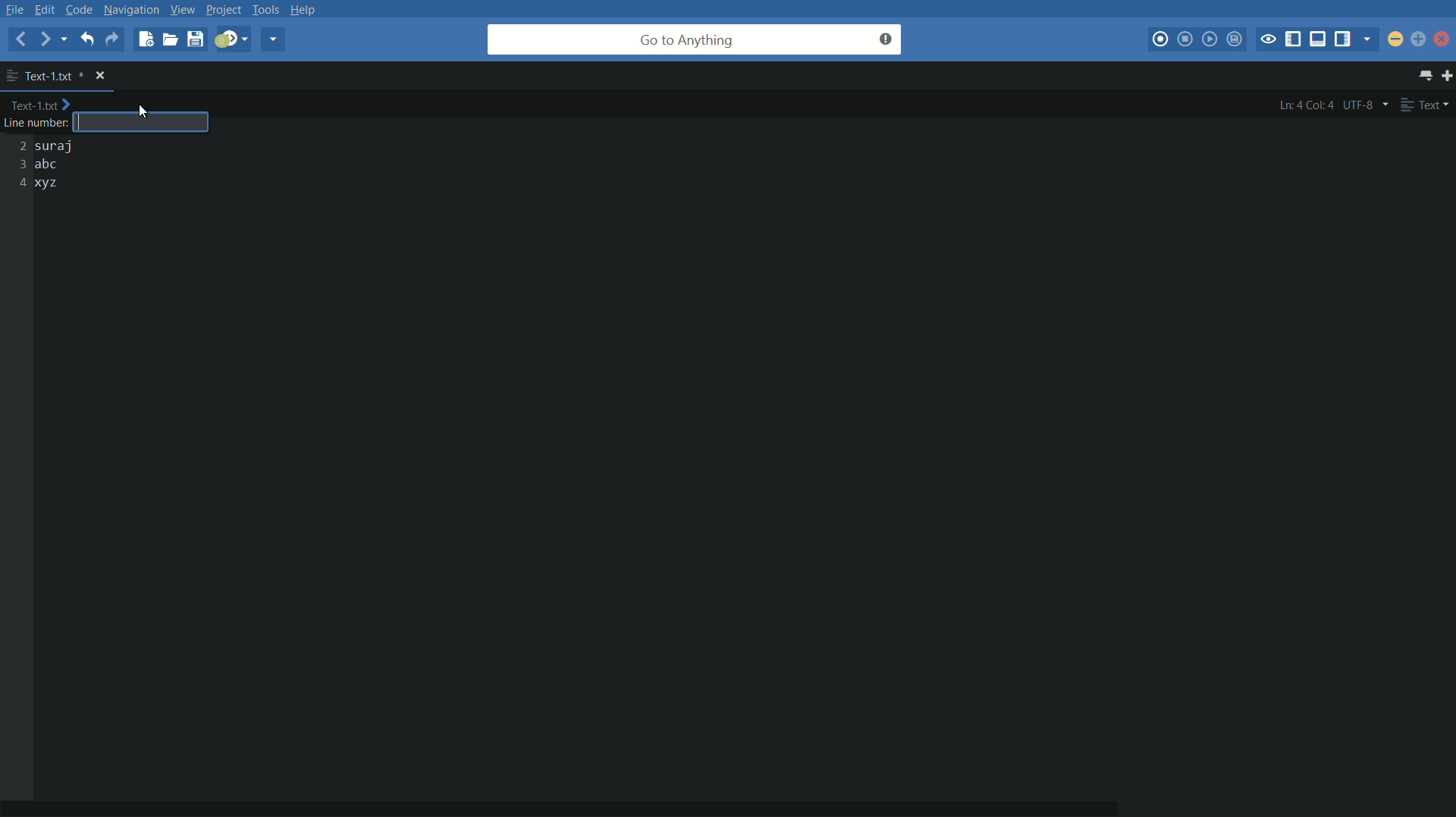  Describe the element at coordinates (1447, 77) in the screenshot. I see `new tab` at that location.